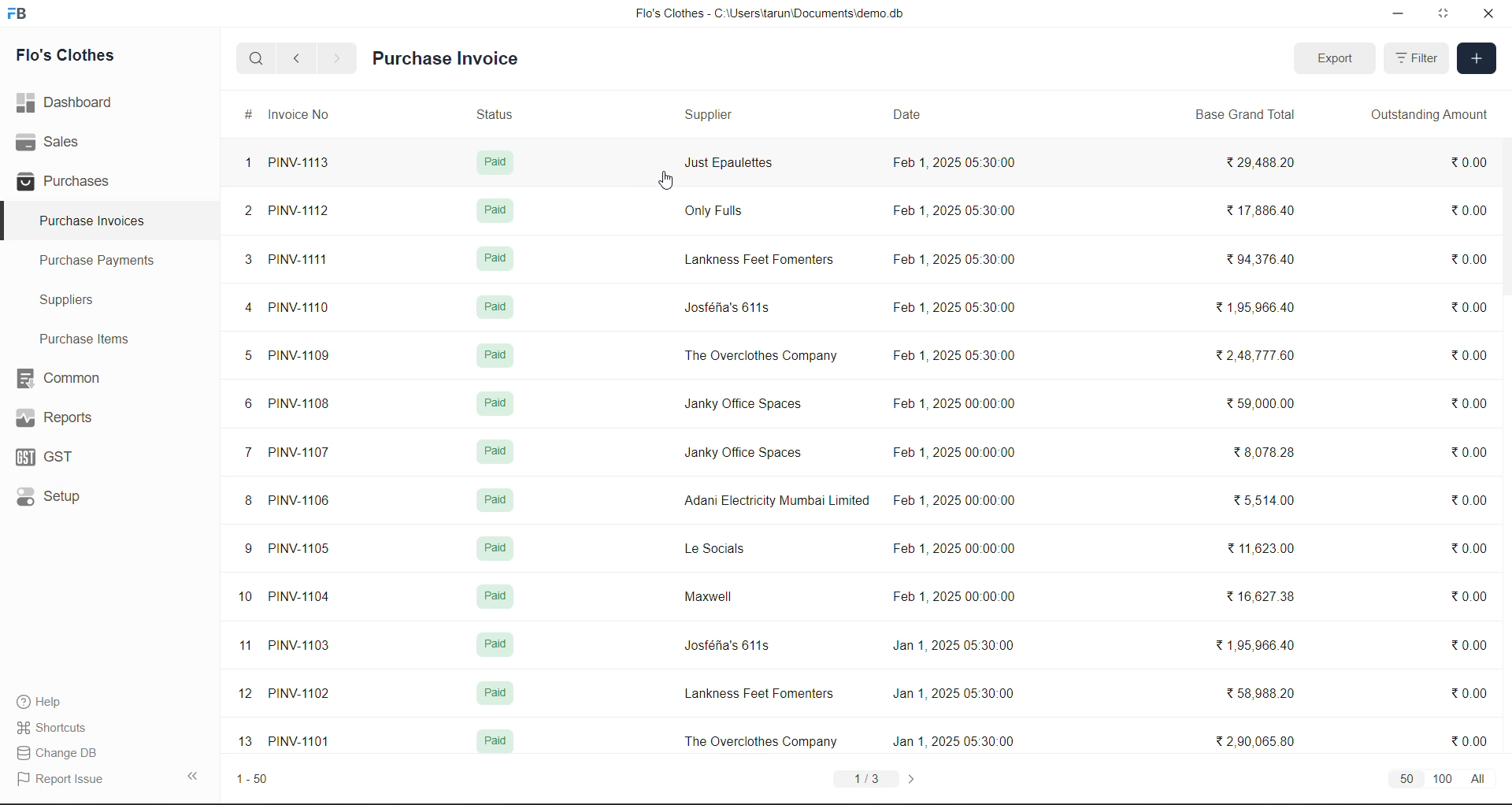  I want to click on window mode, so click(1445, 13).